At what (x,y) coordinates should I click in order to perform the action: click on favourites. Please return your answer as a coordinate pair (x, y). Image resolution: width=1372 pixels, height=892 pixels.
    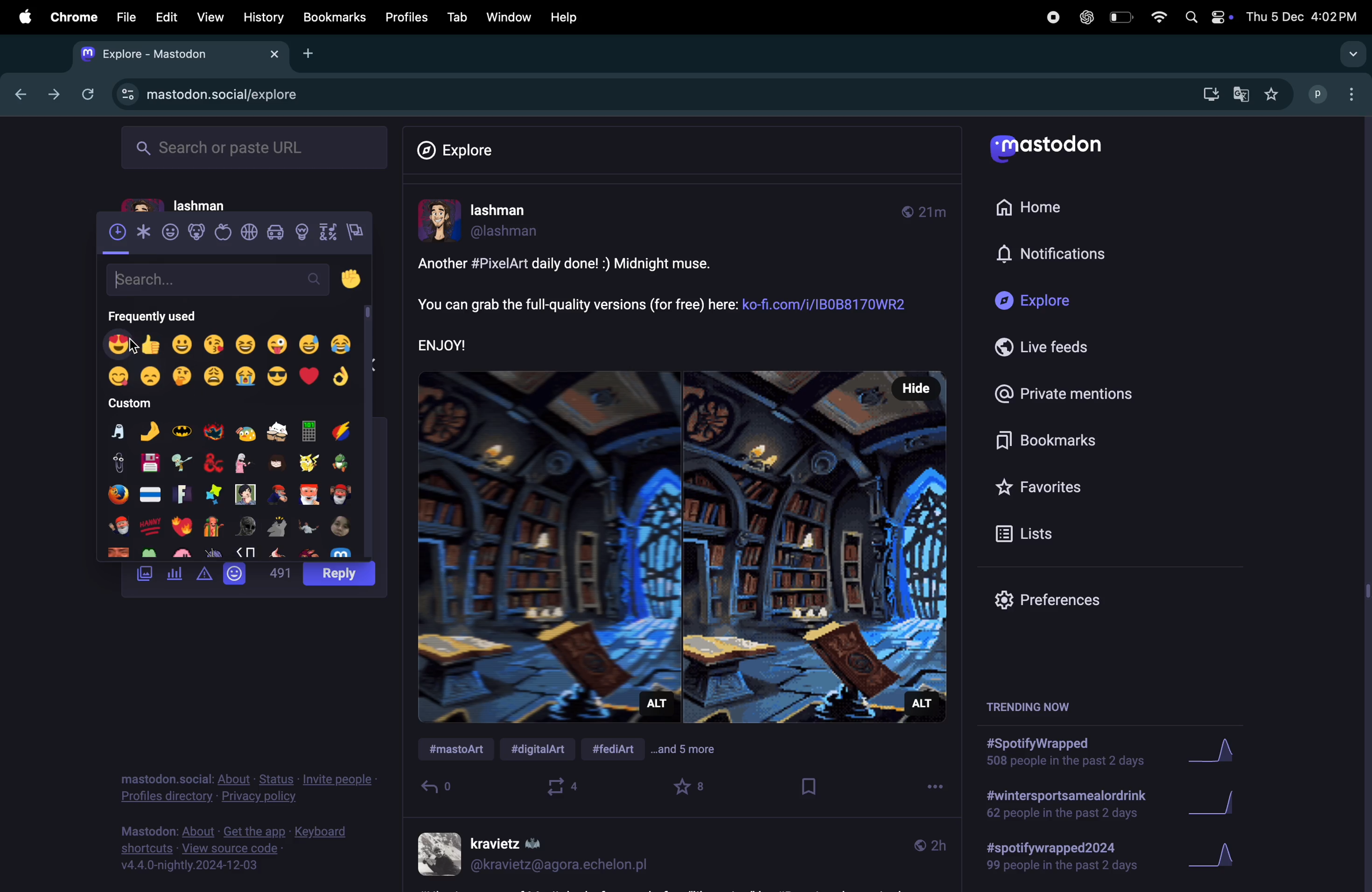
    Looking at the image, I should click on (1270, 94).